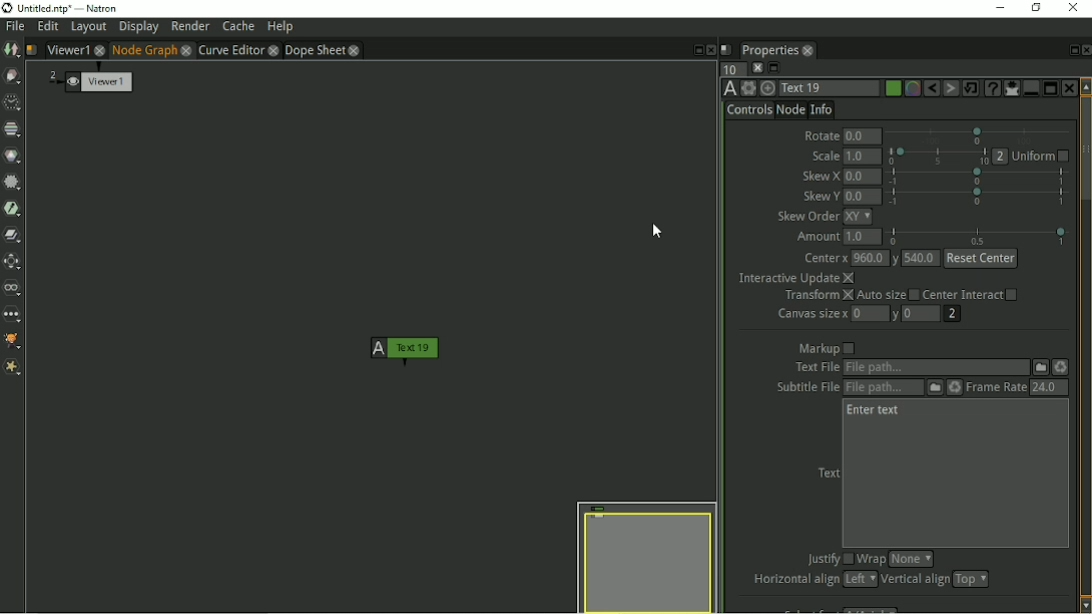 The image size is (1092, 614). I want to click on 0, so click(868, 313).